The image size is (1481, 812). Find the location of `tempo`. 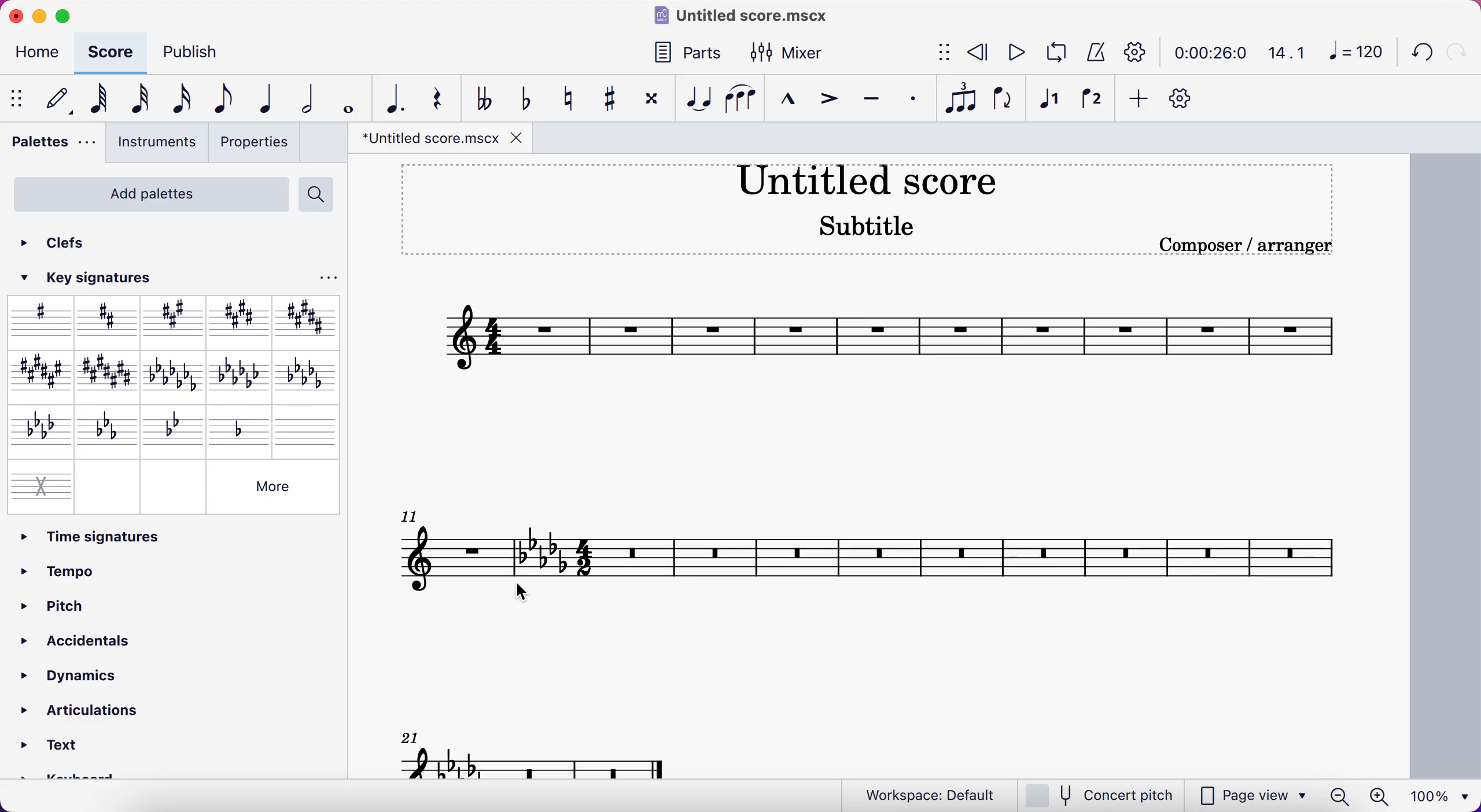

tempo is located at coordinates (108, 570).